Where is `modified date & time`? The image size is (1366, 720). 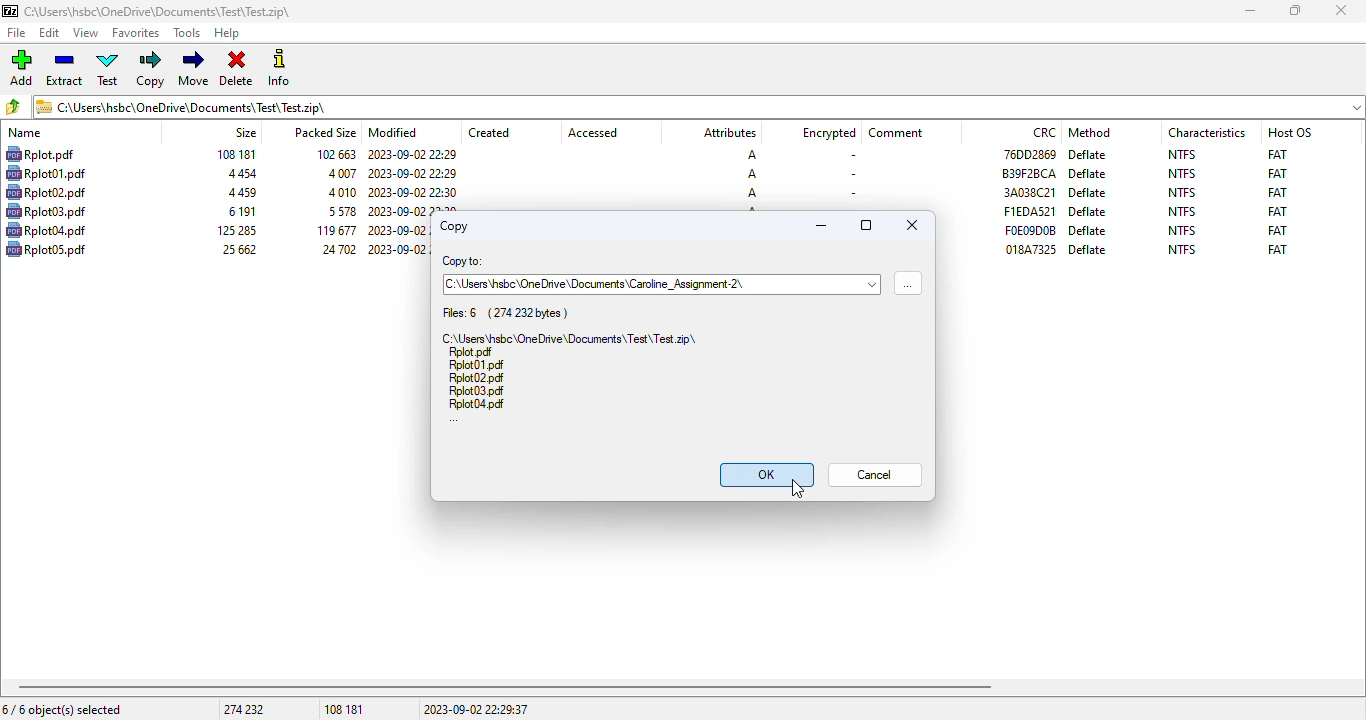 modified date & time is located at coordinates (413, 173).